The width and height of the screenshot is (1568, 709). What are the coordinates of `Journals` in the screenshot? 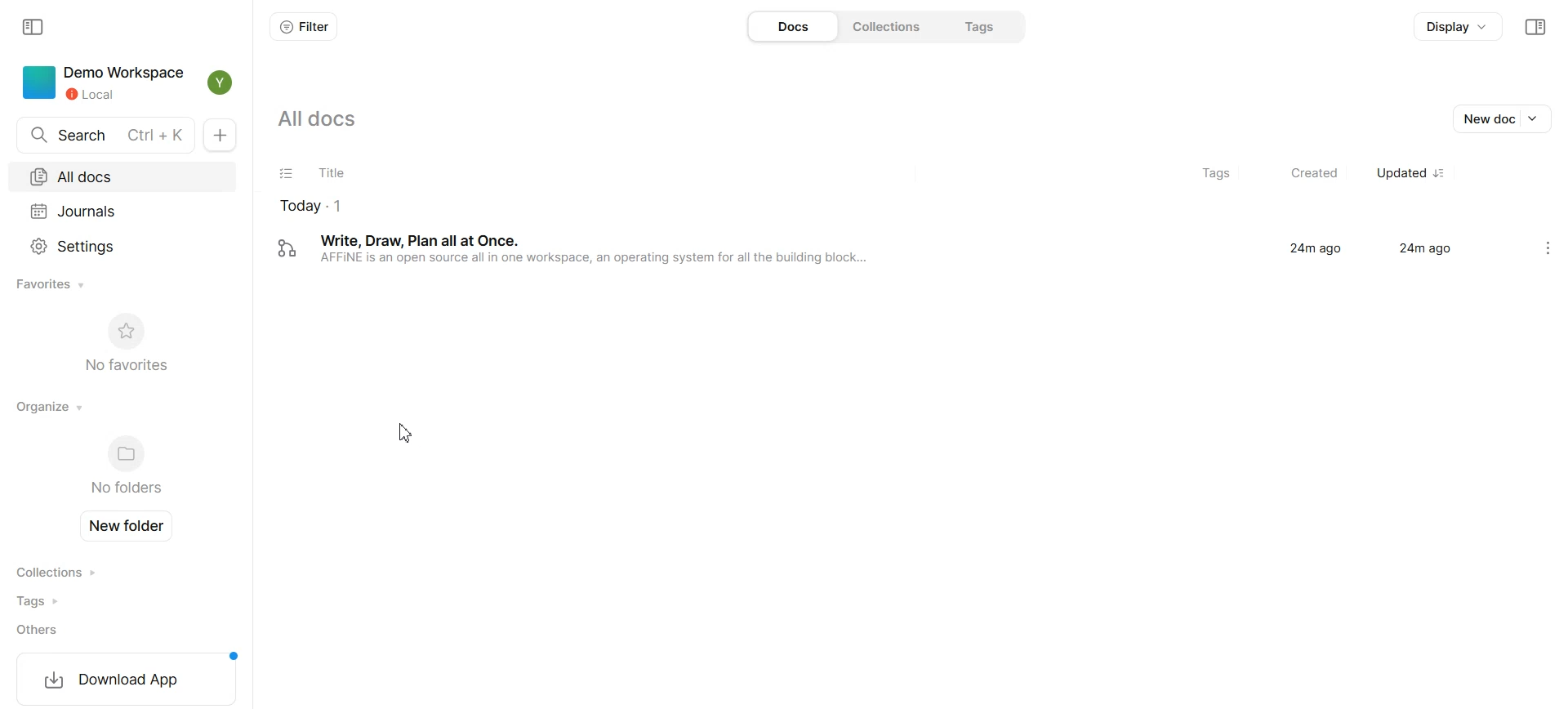 It's located at (125, 208).